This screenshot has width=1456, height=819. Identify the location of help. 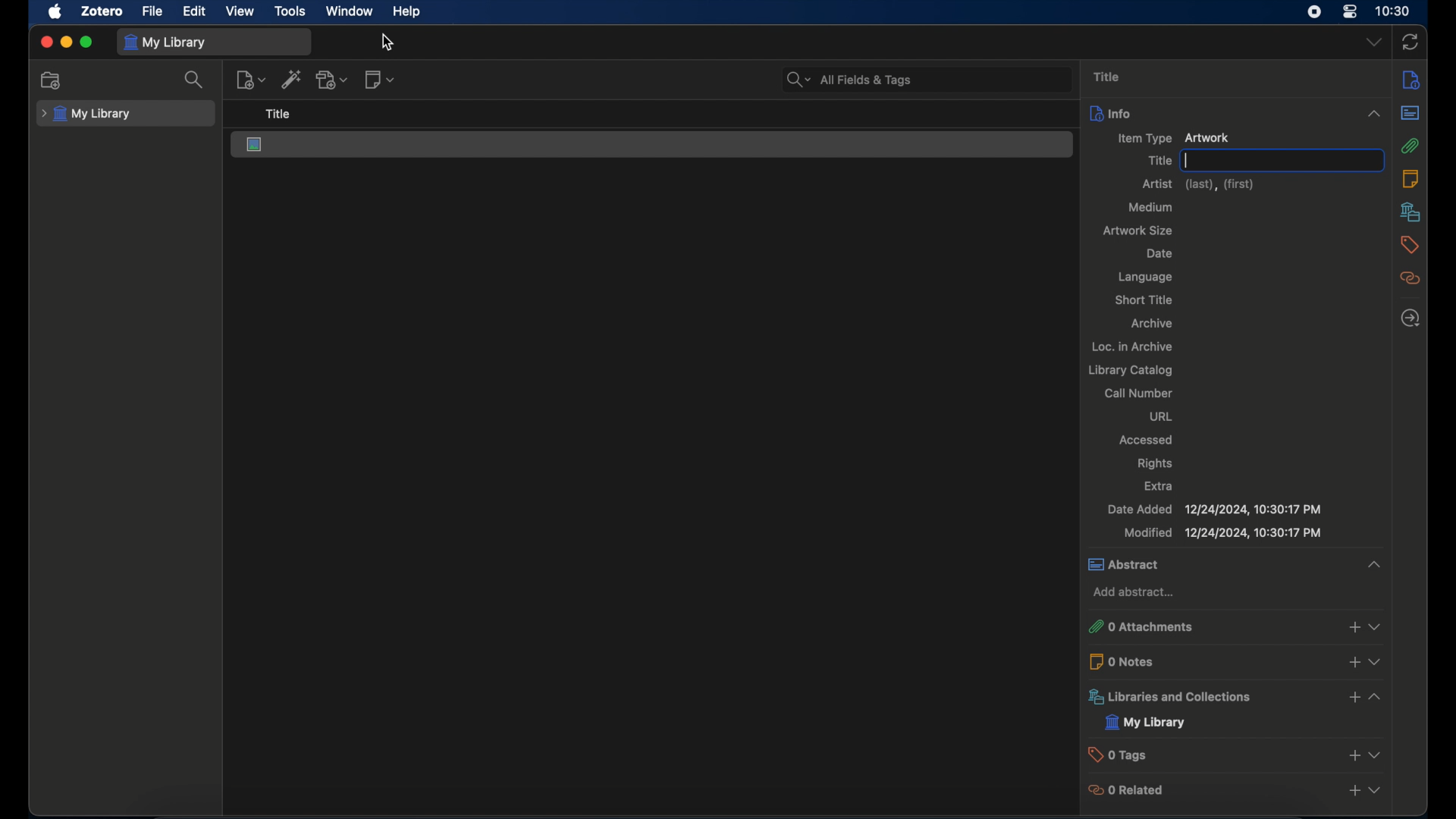
(406, 12).